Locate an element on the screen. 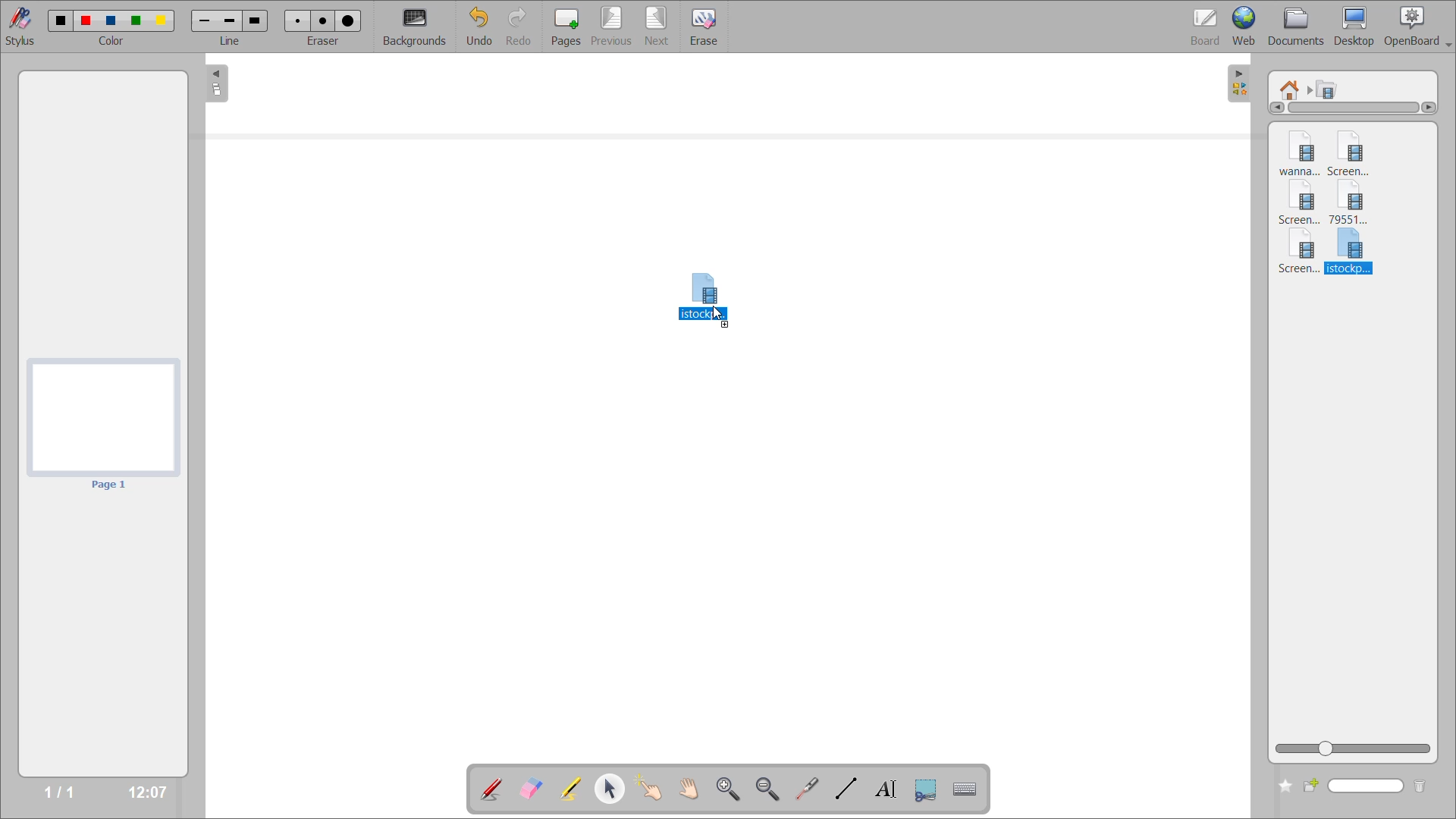 The height and width of the screenshot is (819, 1456). time stamp is located at coordinates (142, 790).